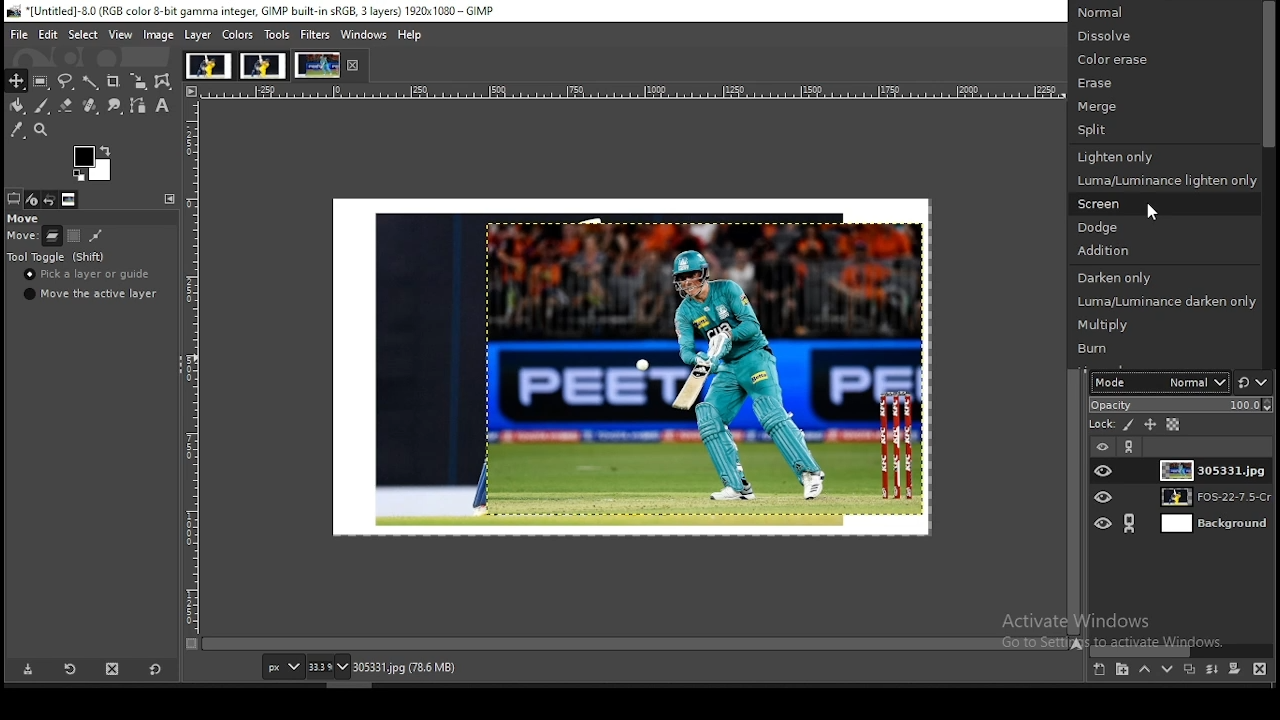  I want to click on move layer one step down, so click(1167, 668).